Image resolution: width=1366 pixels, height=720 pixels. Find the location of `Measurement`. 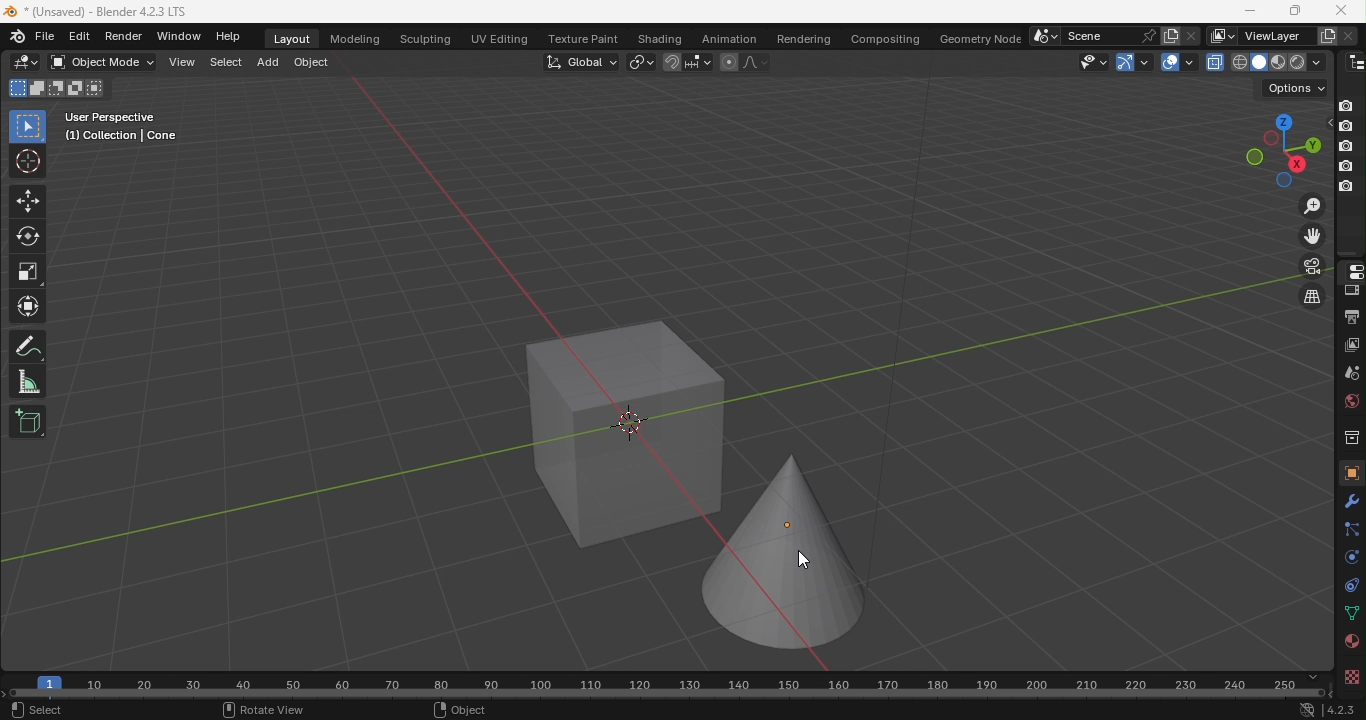

Measurement is located at coordinates (28, 383).